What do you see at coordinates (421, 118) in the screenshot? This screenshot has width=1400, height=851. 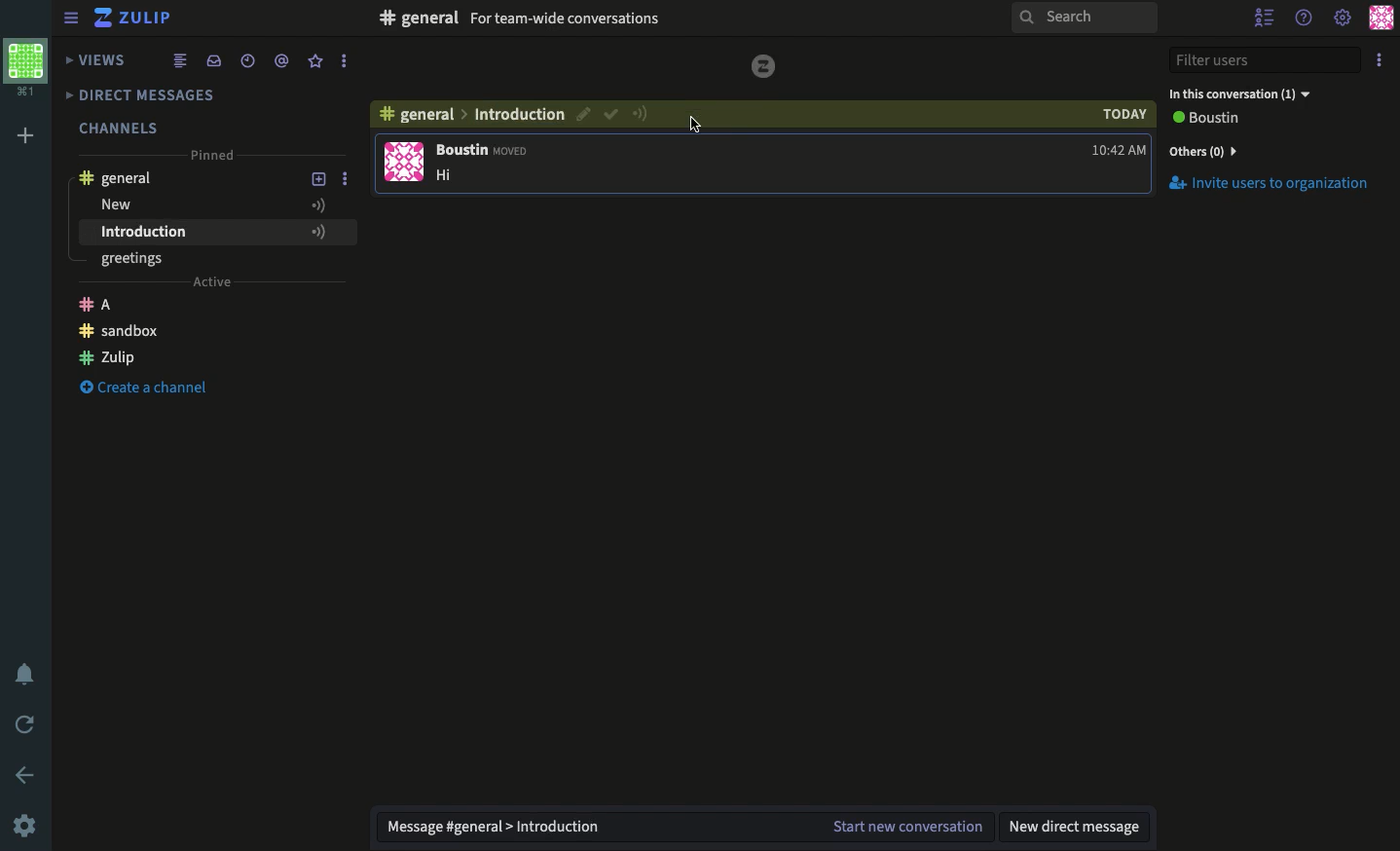 I see `Channel` at bounding box center [421, 118].